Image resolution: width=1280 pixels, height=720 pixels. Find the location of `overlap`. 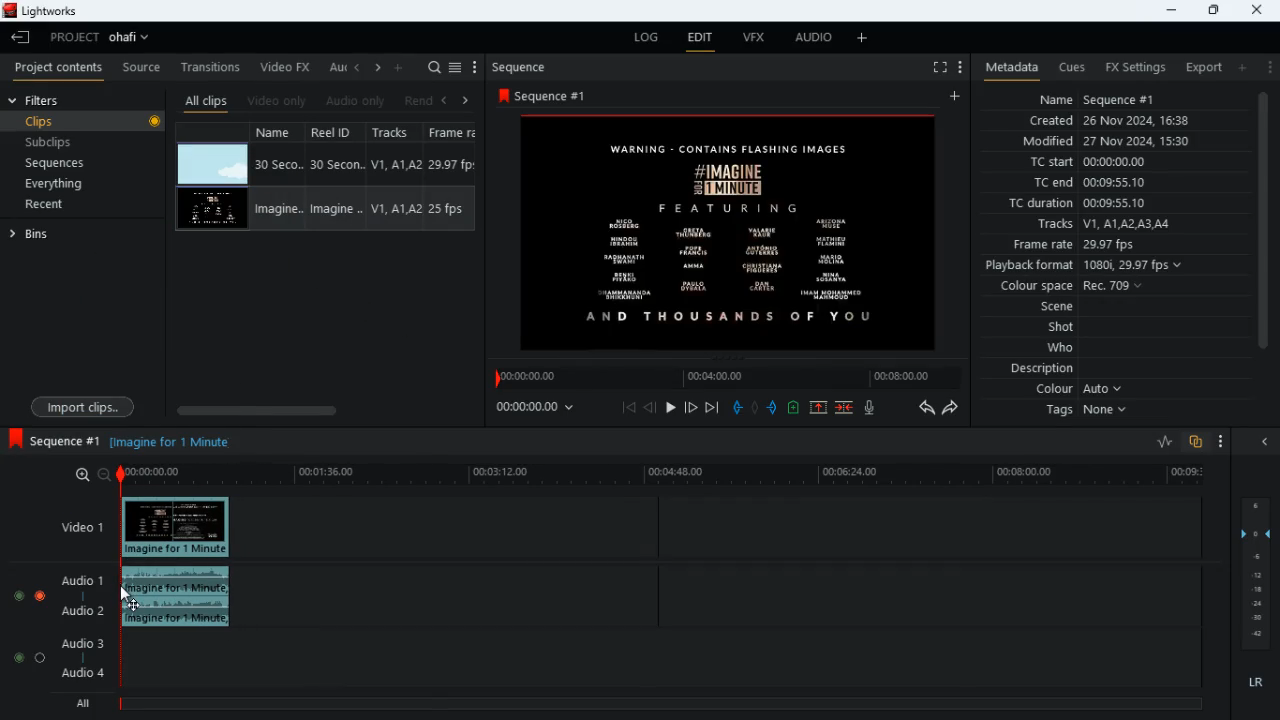

overlap is located at coordinates (1197, 443).